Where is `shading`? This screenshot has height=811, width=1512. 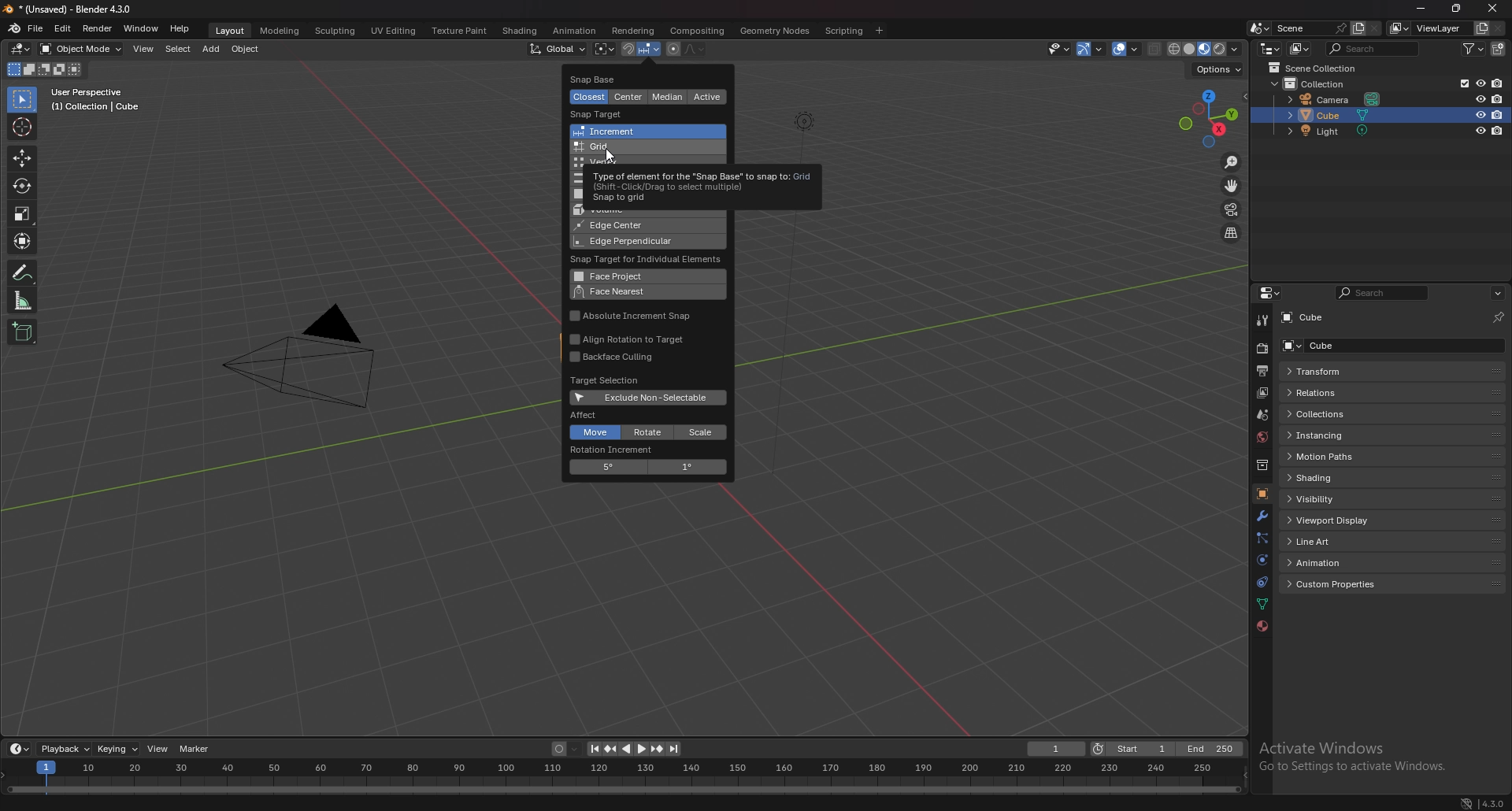 shading is located at coordinates (1340, 477).